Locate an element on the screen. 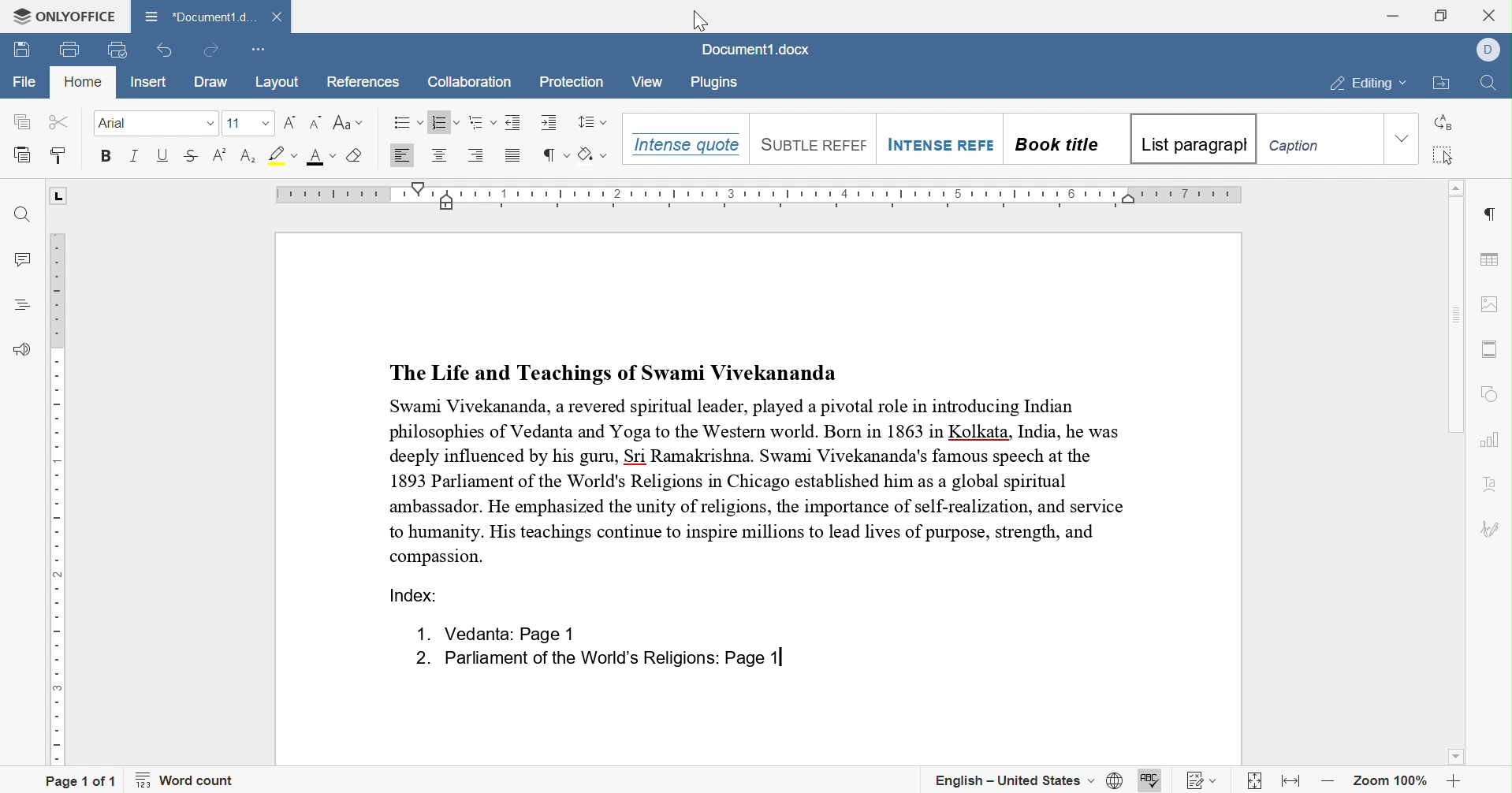 This screenshot has height=793, width=1512. word count is located at coordinates (185, 780).